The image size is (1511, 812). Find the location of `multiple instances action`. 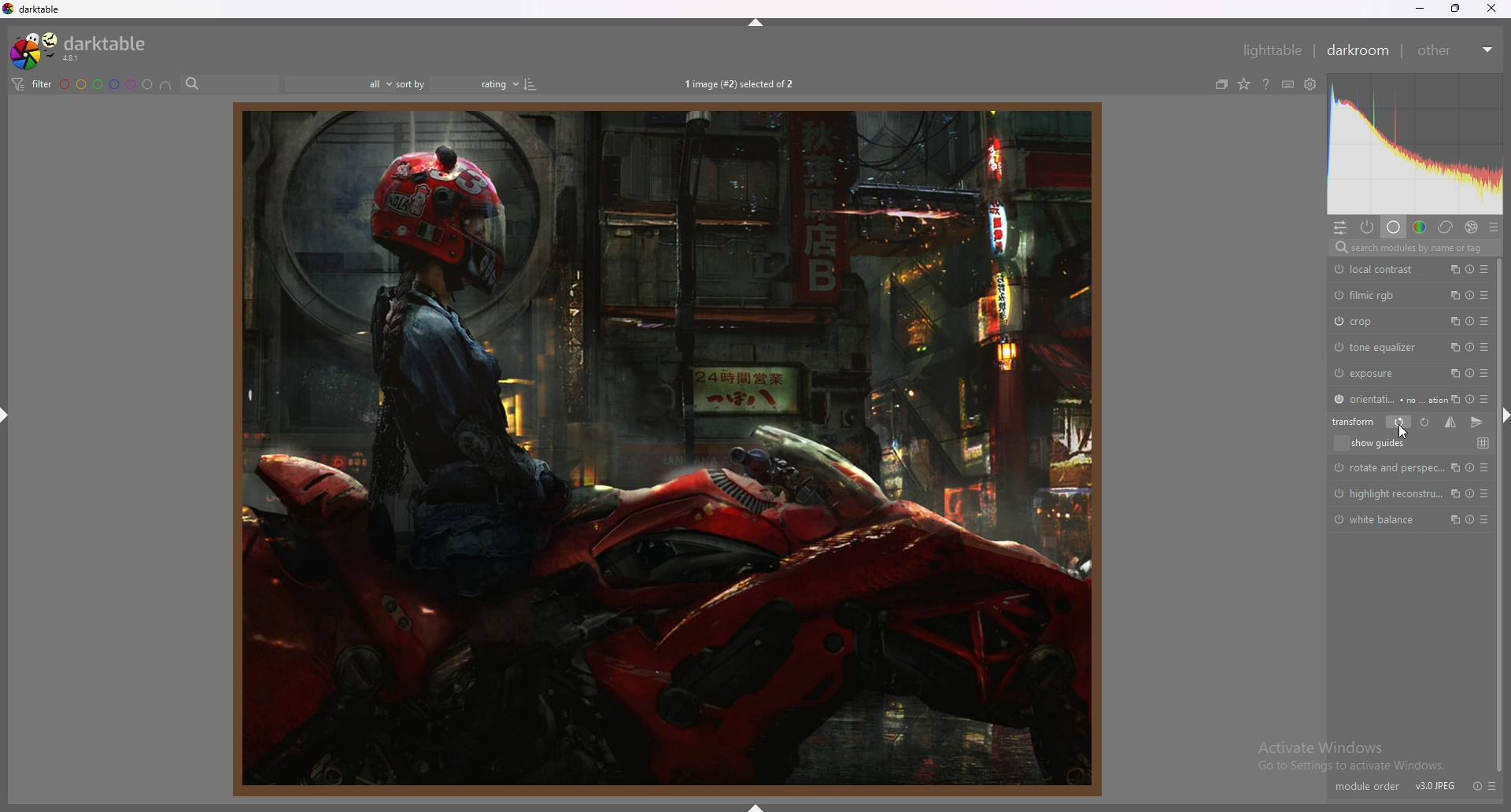

multiple instances action is located at coordinates (1452, 348).